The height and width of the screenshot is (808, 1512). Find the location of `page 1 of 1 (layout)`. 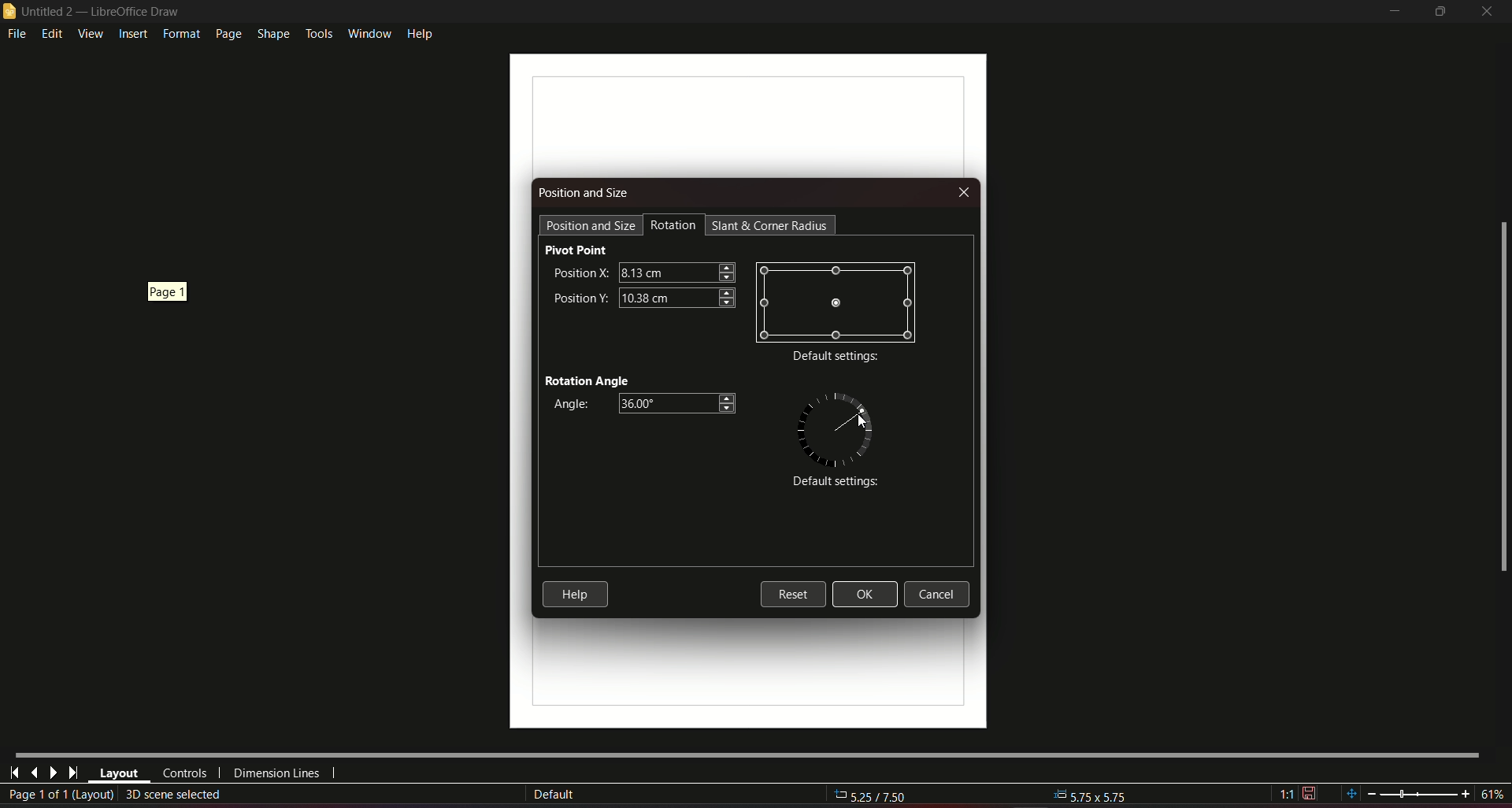

page 1 of 1 (layout) is located at coordinates (60, 795).